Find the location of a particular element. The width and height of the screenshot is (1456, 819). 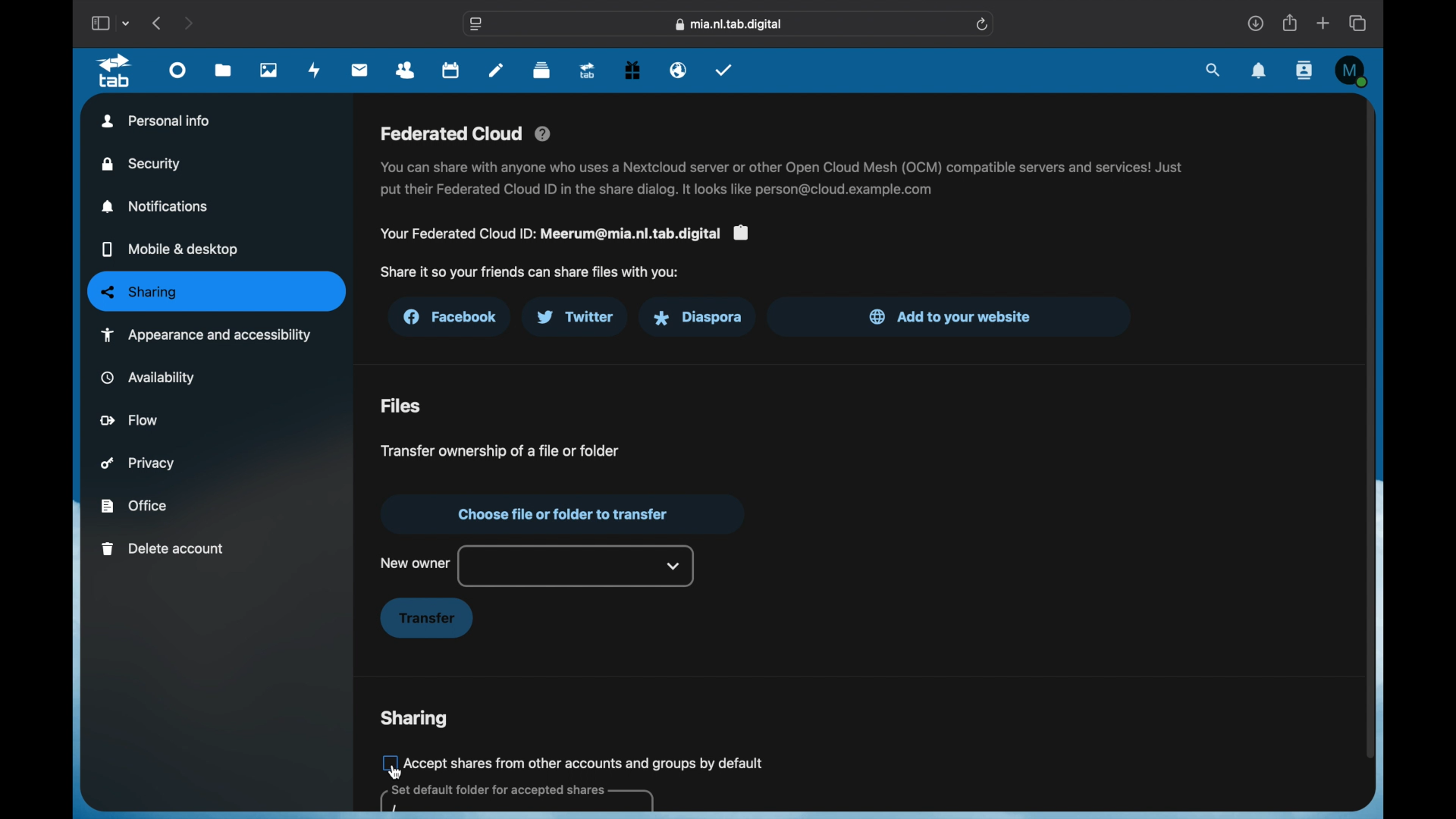

dashboard is located at coordinates (178, 74).